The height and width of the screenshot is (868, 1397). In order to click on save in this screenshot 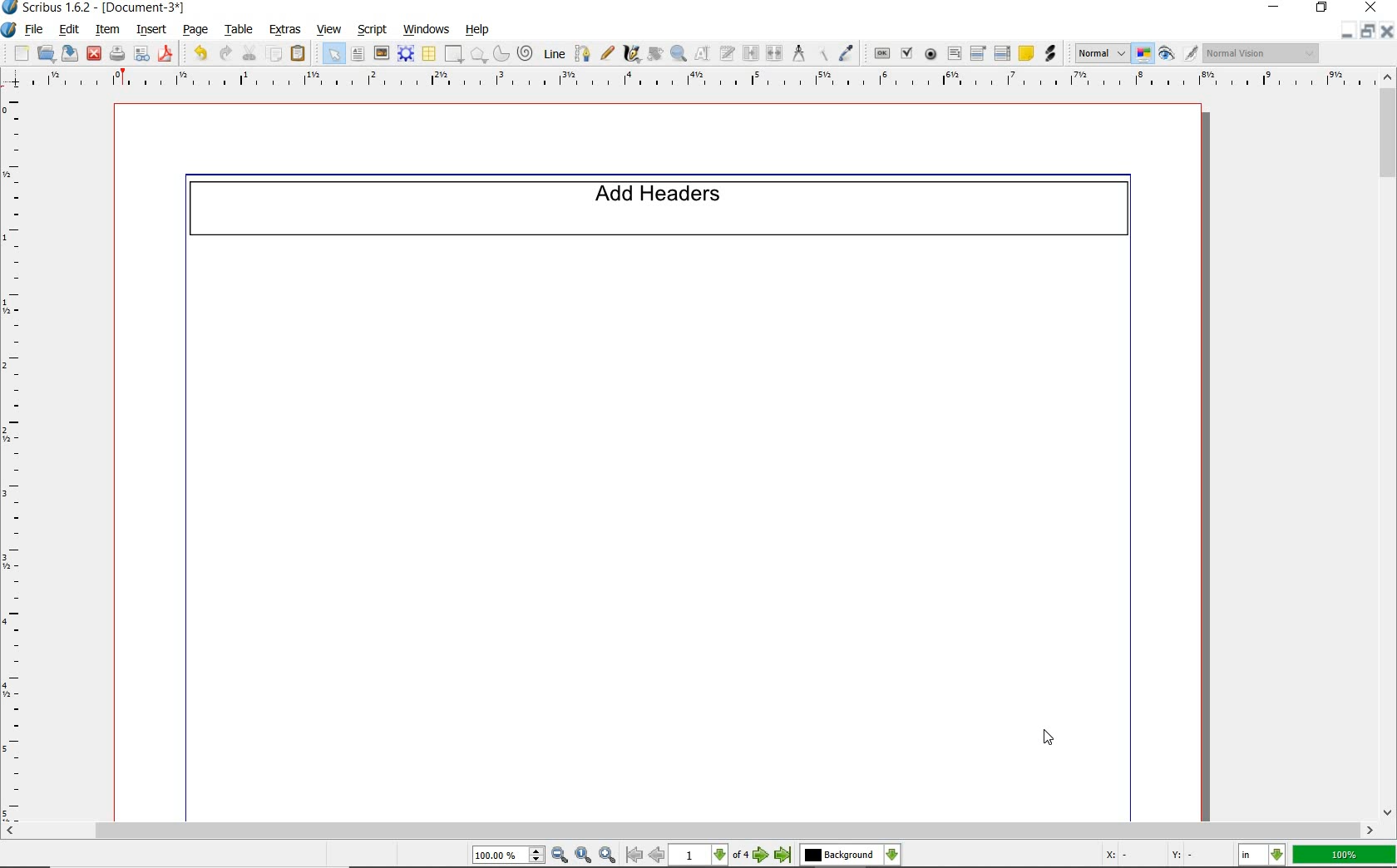, I will do `click(68, 52)`.